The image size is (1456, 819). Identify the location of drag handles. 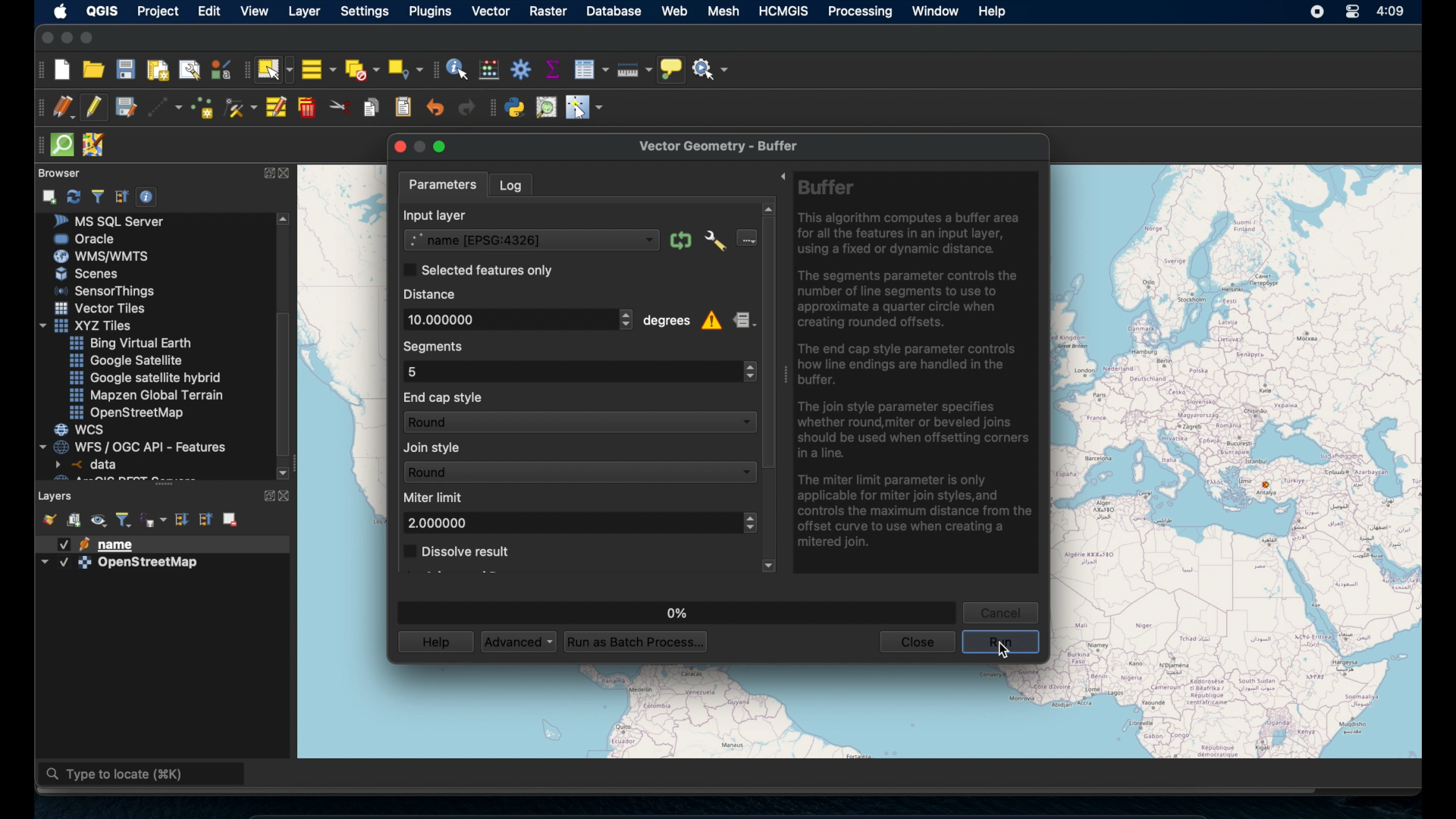
(37, 143).